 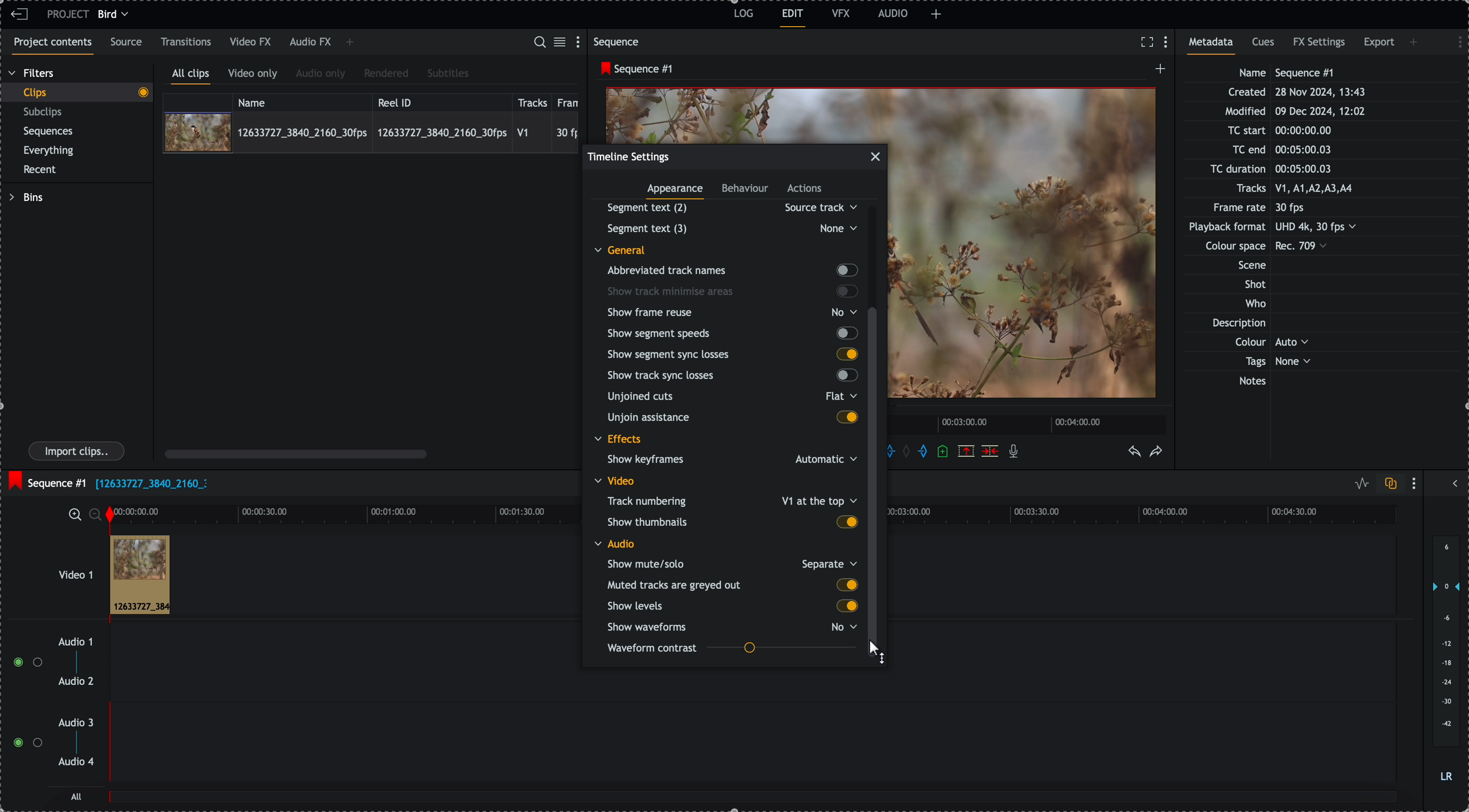 What do you see at coordinates (74, 682) in the screenshot?
I see `audio 2` at bounding box center [74, 682].